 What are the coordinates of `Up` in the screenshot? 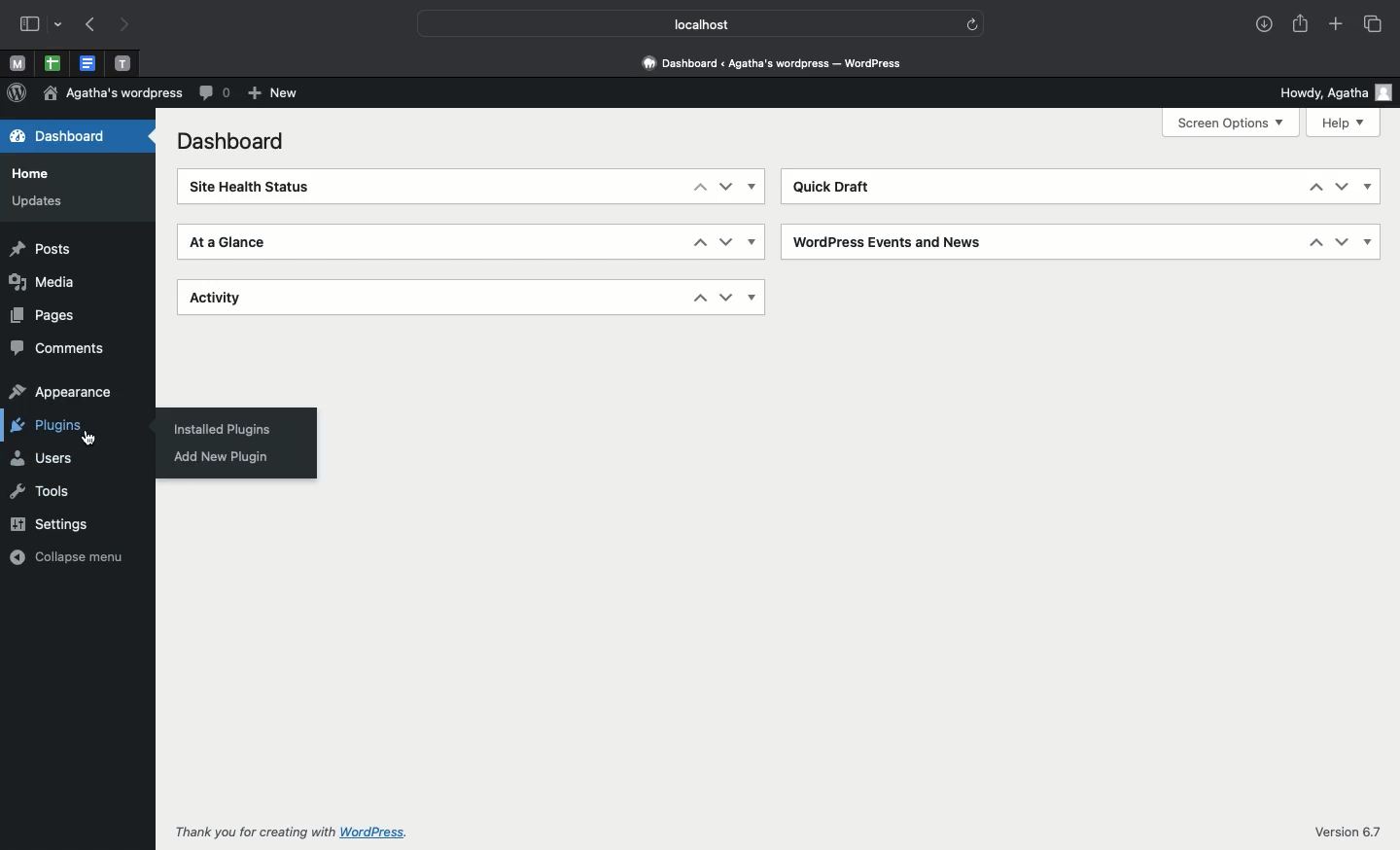 It's located at (696, 185).